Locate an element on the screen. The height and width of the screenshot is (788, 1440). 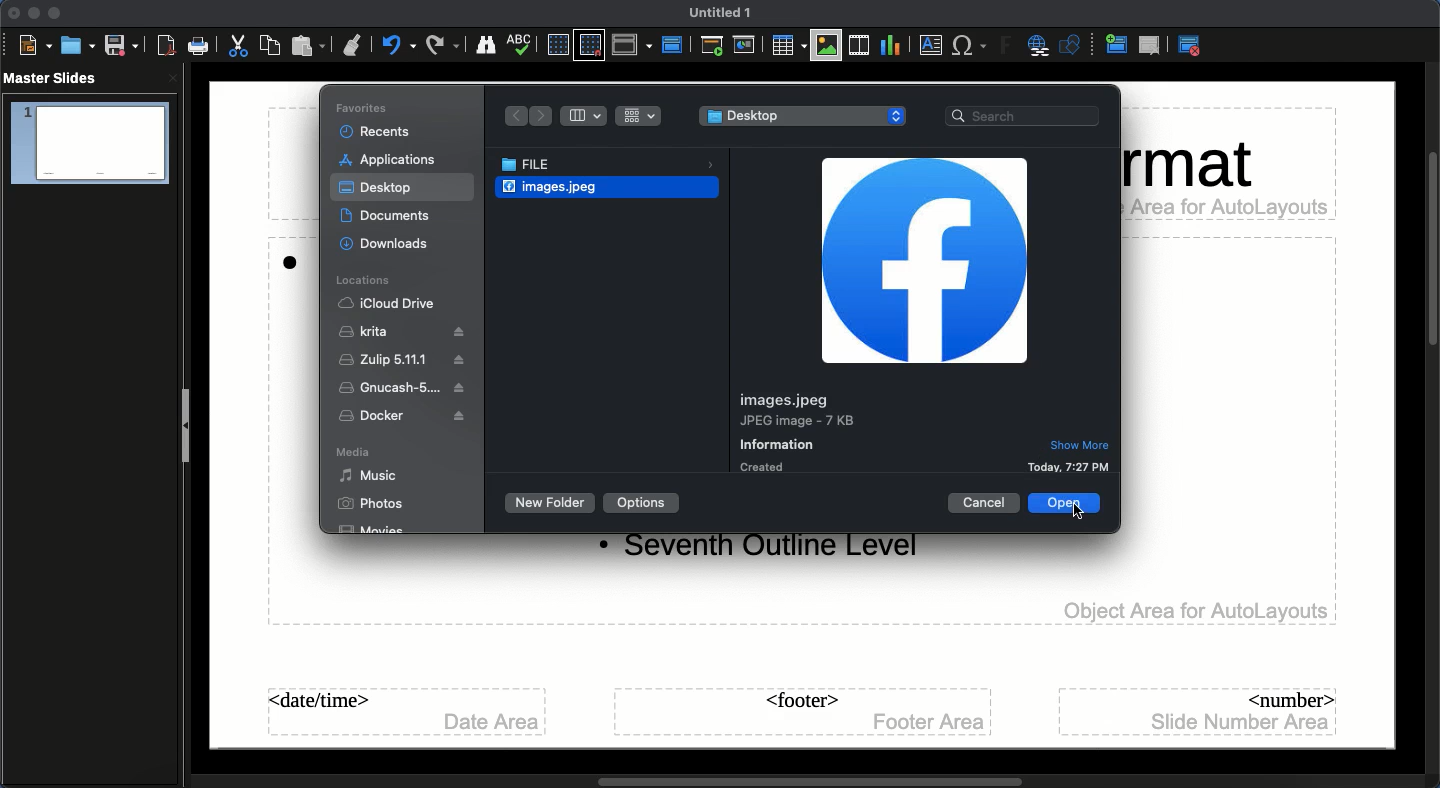
Images is located at coordinates (825, 49).